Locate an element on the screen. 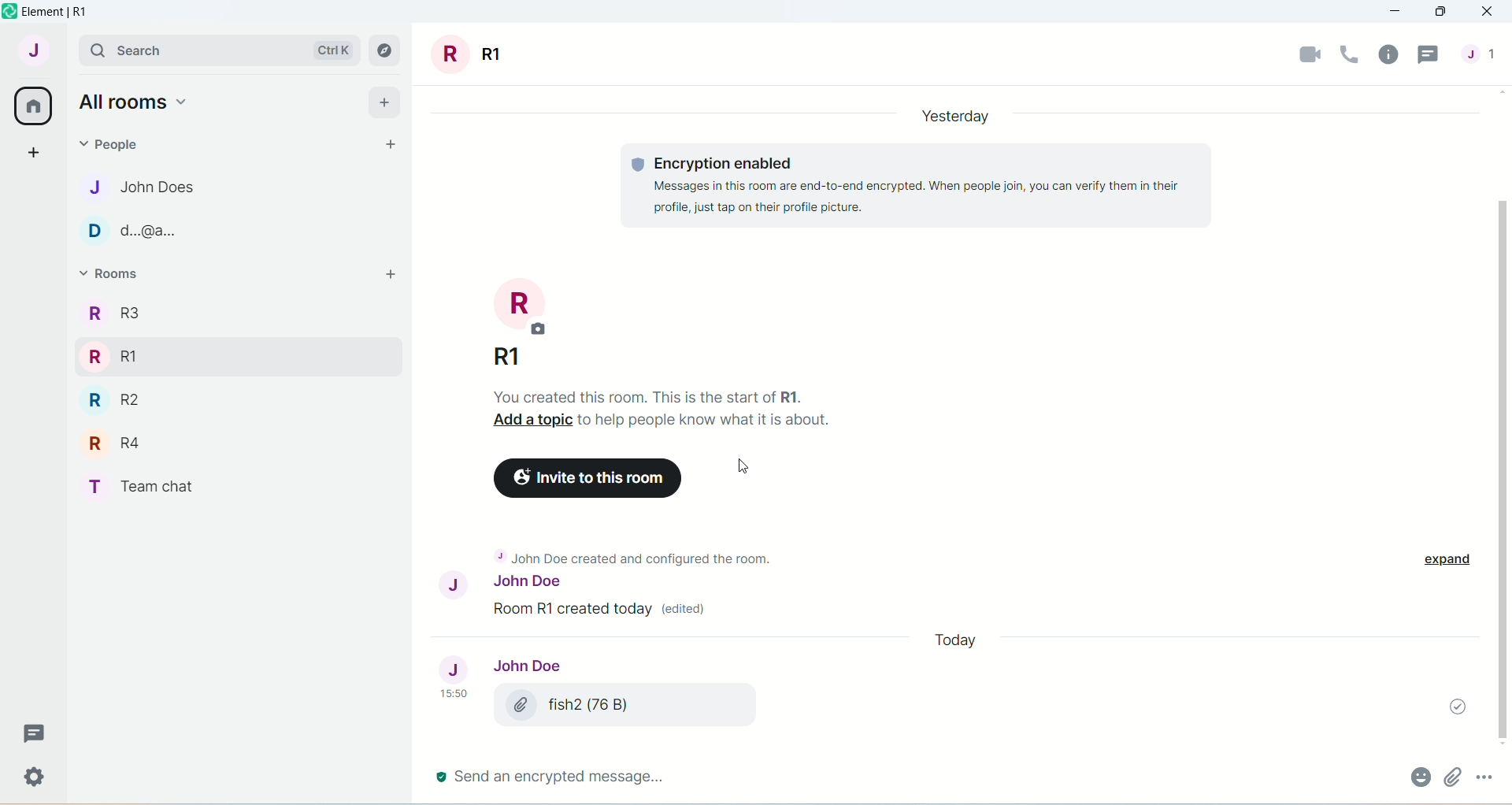 This screenshot has height=805, width=1512. room photo is located at coordinates (524, 306).